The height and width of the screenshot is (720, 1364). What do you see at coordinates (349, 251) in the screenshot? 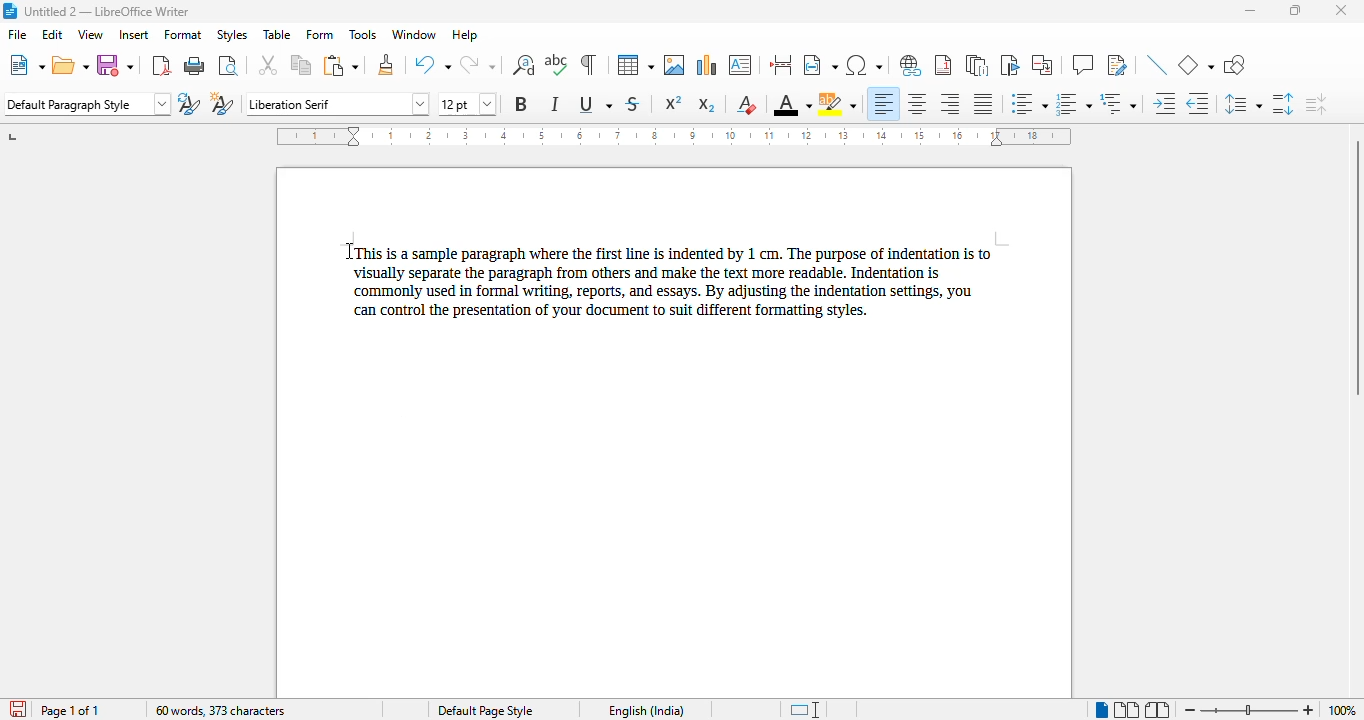
I see `cursor` at bounding box center [349, 251].